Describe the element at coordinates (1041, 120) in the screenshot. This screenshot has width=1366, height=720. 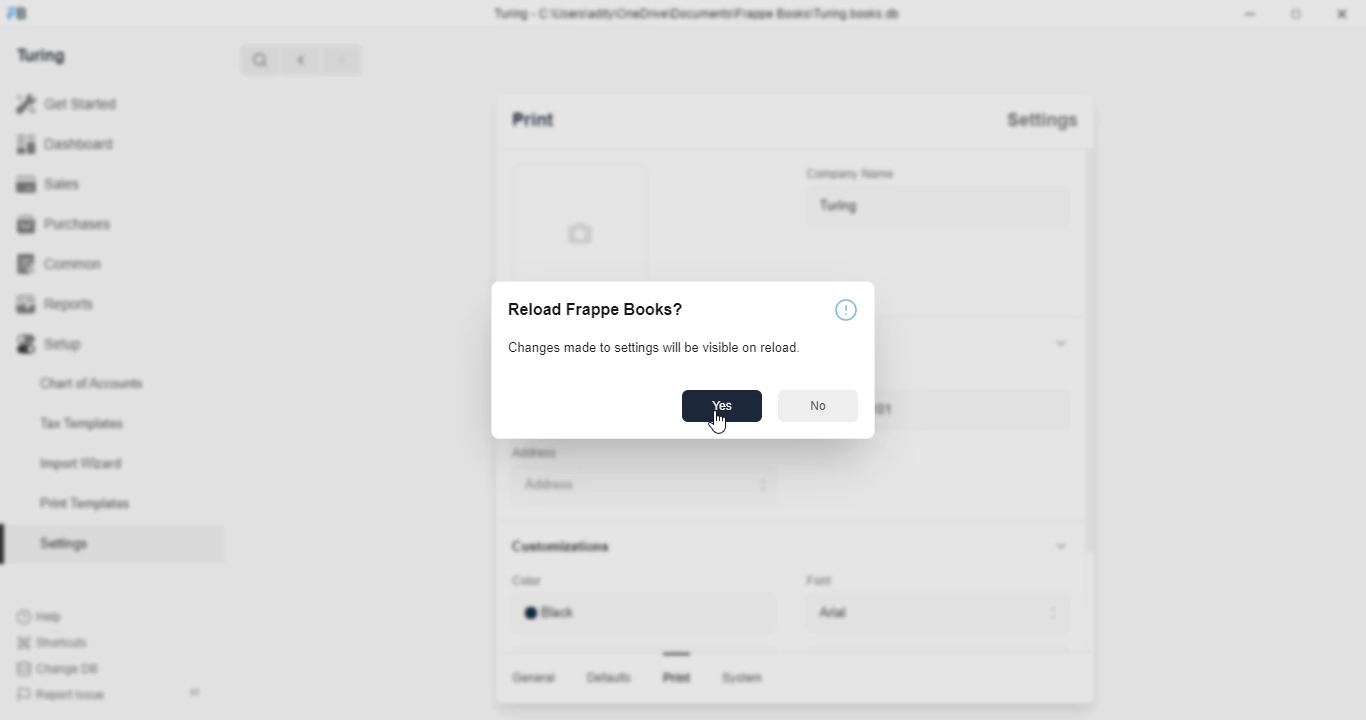
I see `Settings` at that location.